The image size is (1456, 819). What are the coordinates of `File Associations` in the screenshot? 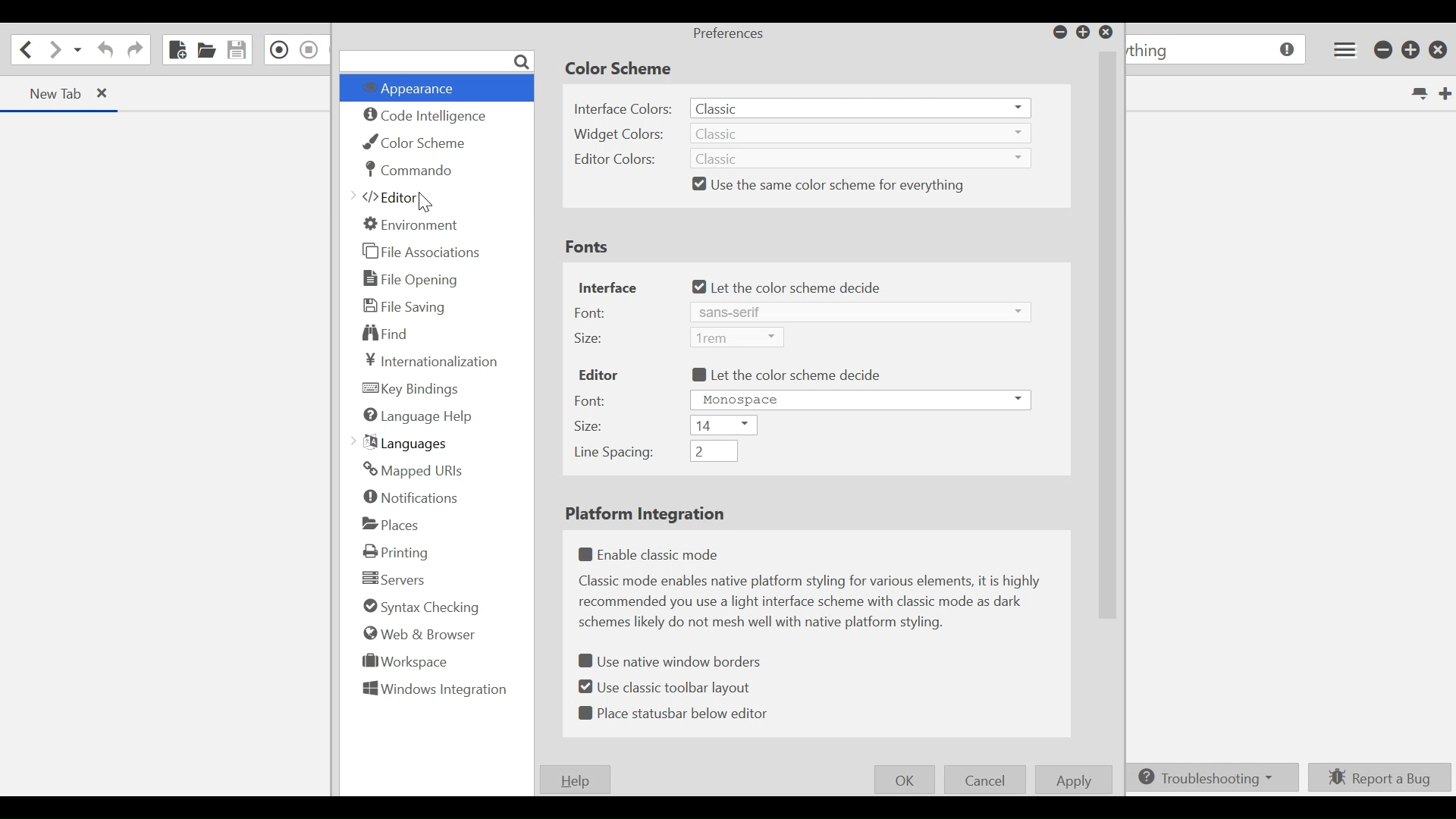 It's located at (421, 250).